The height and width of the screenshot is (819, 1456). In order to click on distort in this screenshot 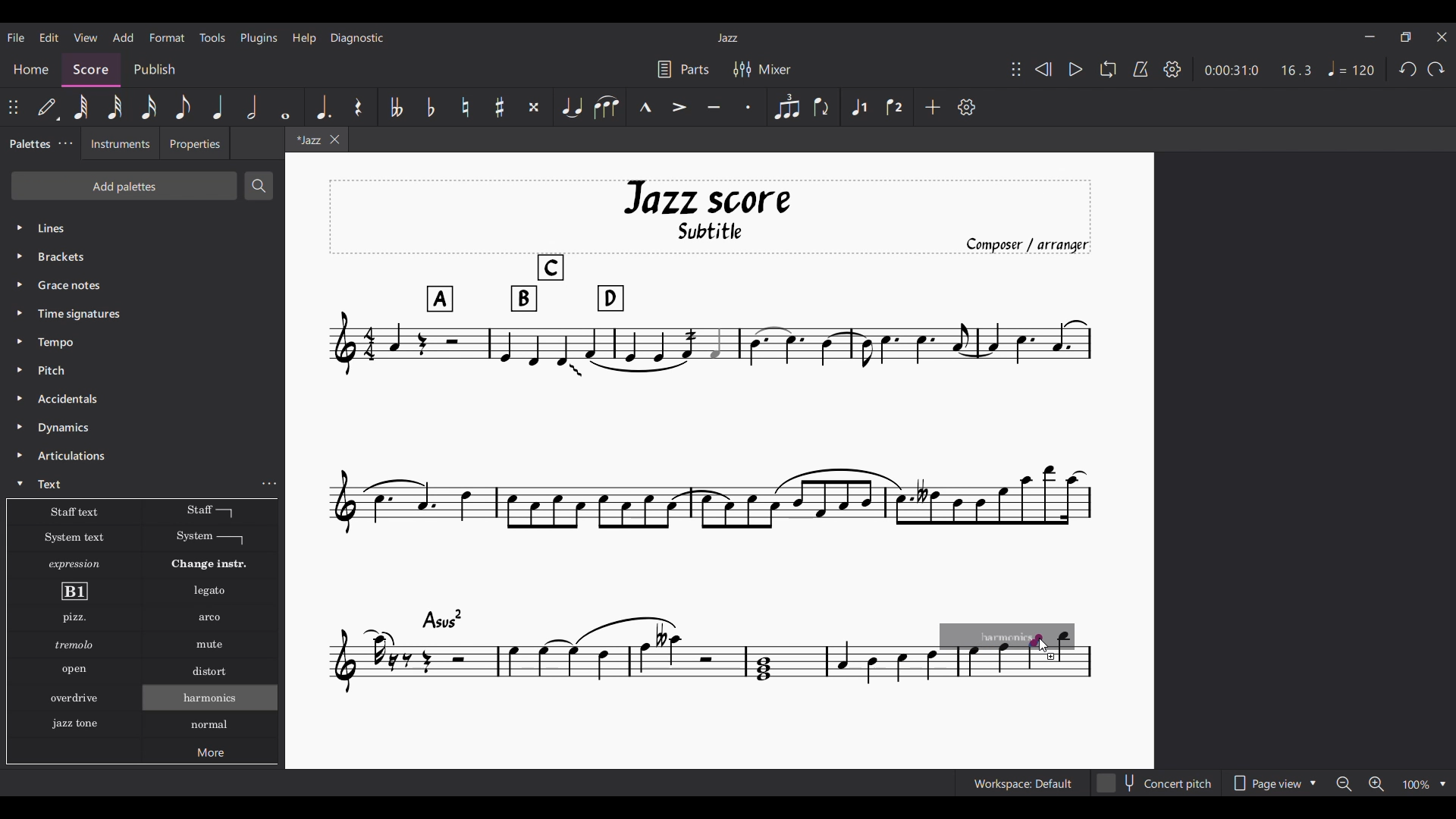, I will do `click(209, 671)`.